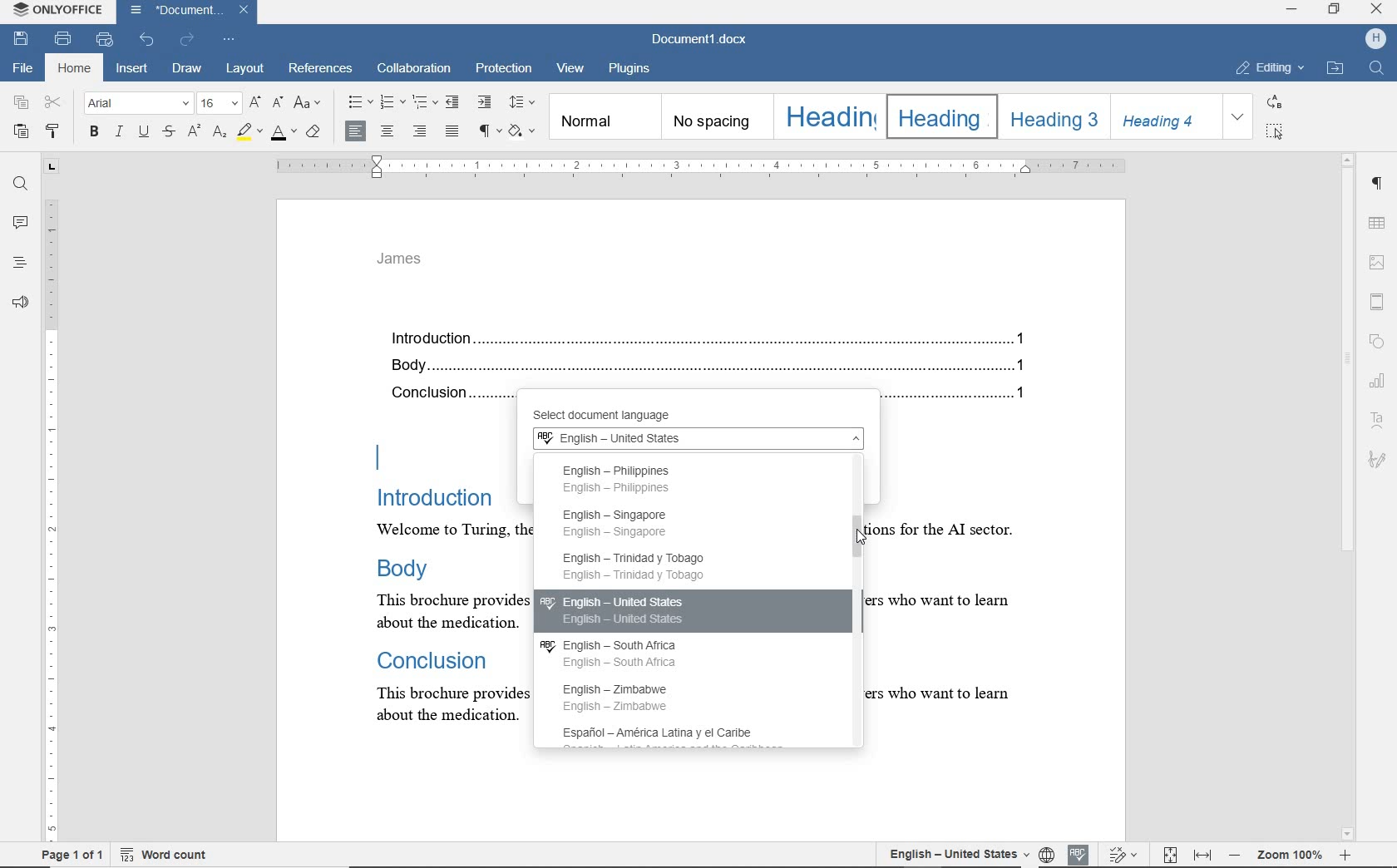 This screenshot has width=1397, height=868. Describe the element at coordinates (938, 116) in the screenshot. I see `Heading 2` at that location.